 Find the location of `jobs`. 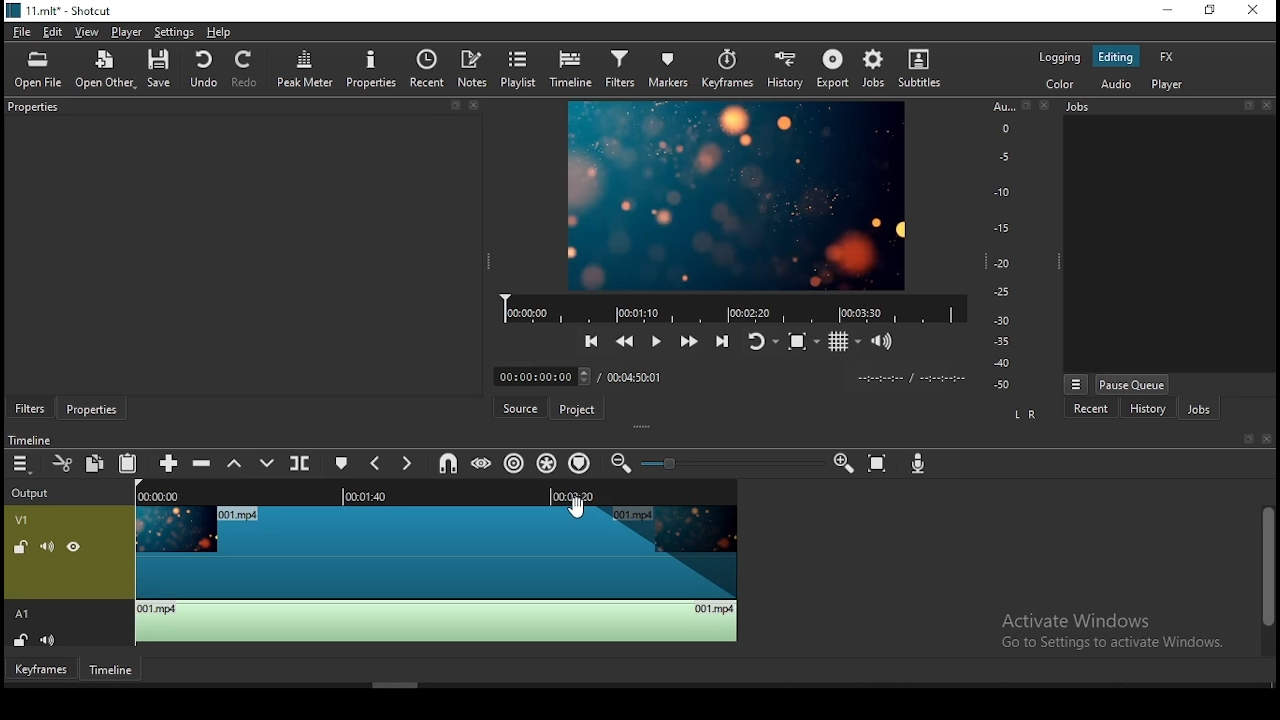

jobs is located at coordinates (1196, 411).